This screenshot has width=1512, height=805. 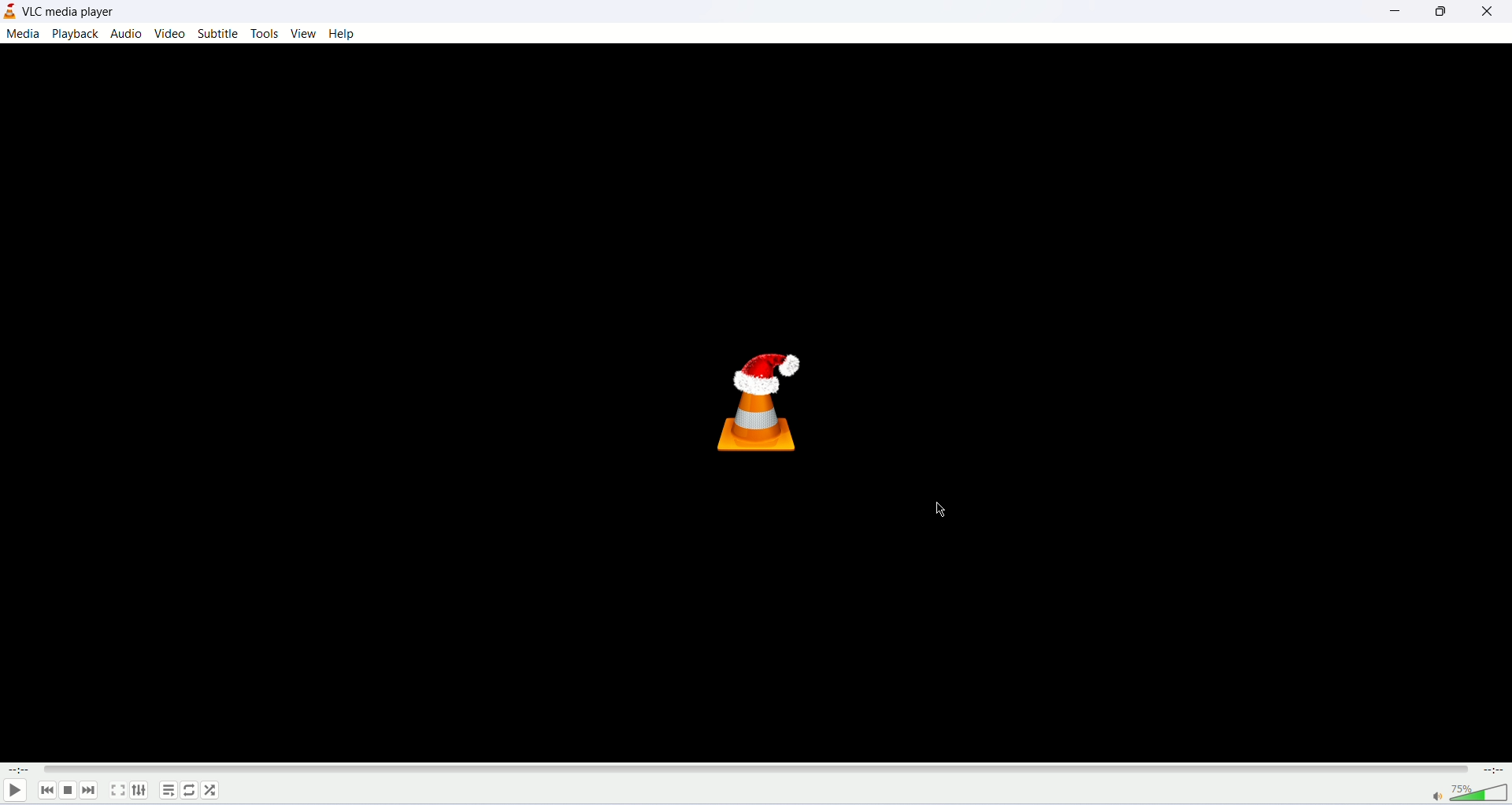 What do you see at coordinates (756, 770) in the screenshot?
I see `progress bar` at bounding box center [756, 770].